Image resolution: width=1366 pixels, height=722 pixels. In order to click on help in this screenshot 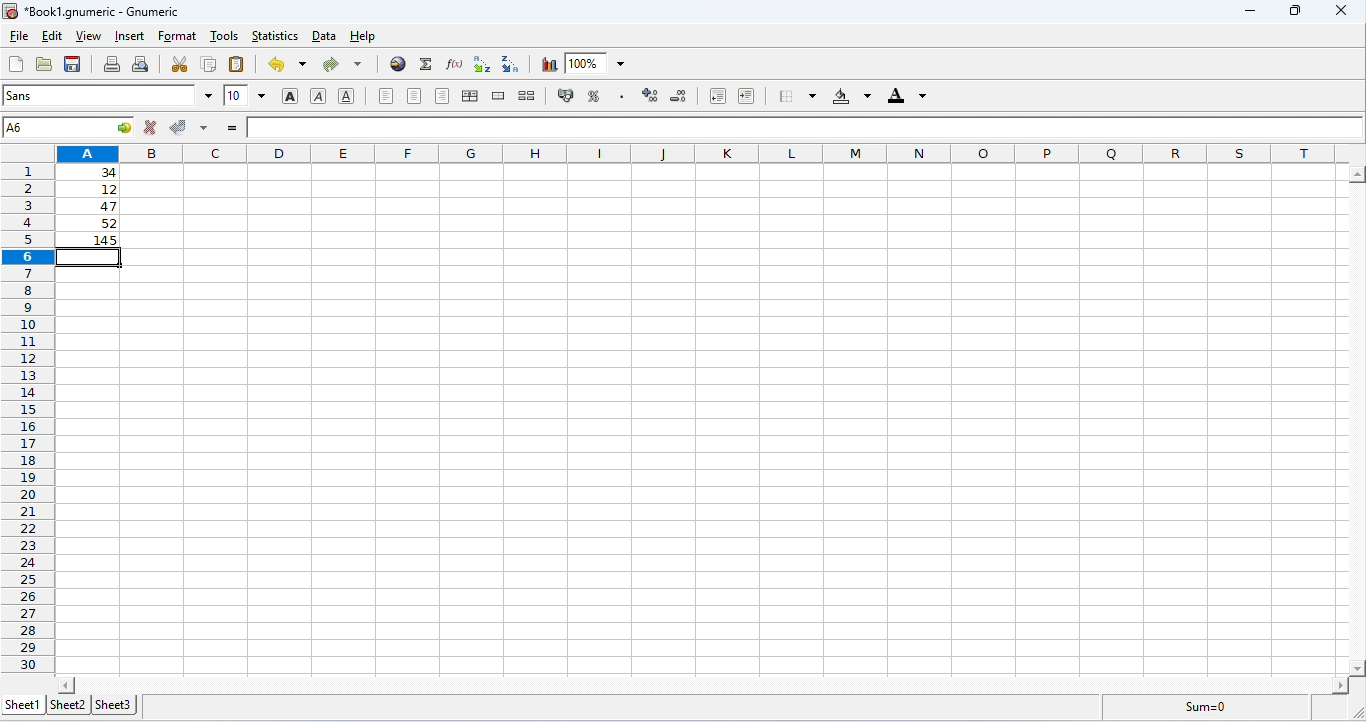, I will do `click(365, 37)`.